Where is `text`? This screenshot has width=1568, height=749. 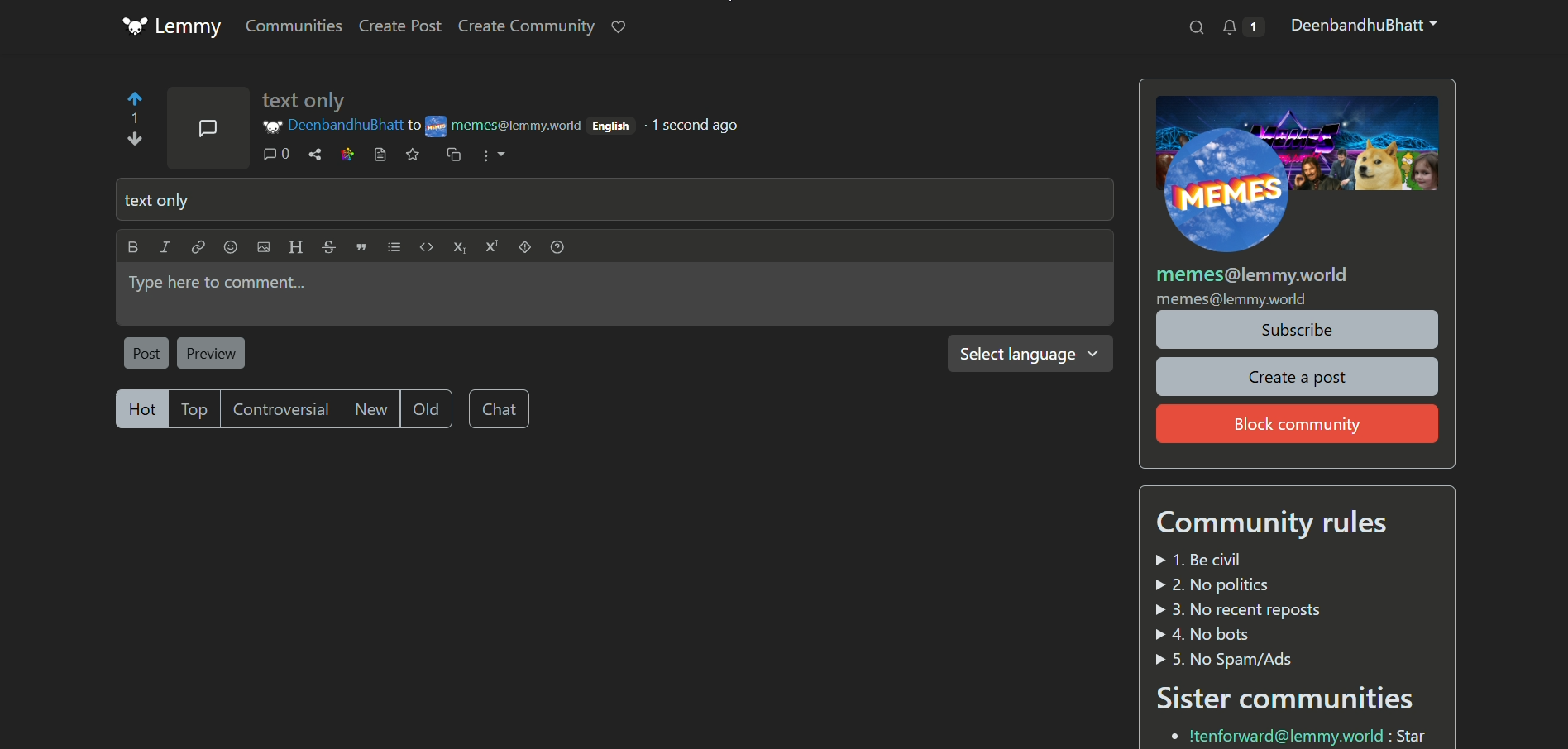
text is located at coordinates (1279, 524).